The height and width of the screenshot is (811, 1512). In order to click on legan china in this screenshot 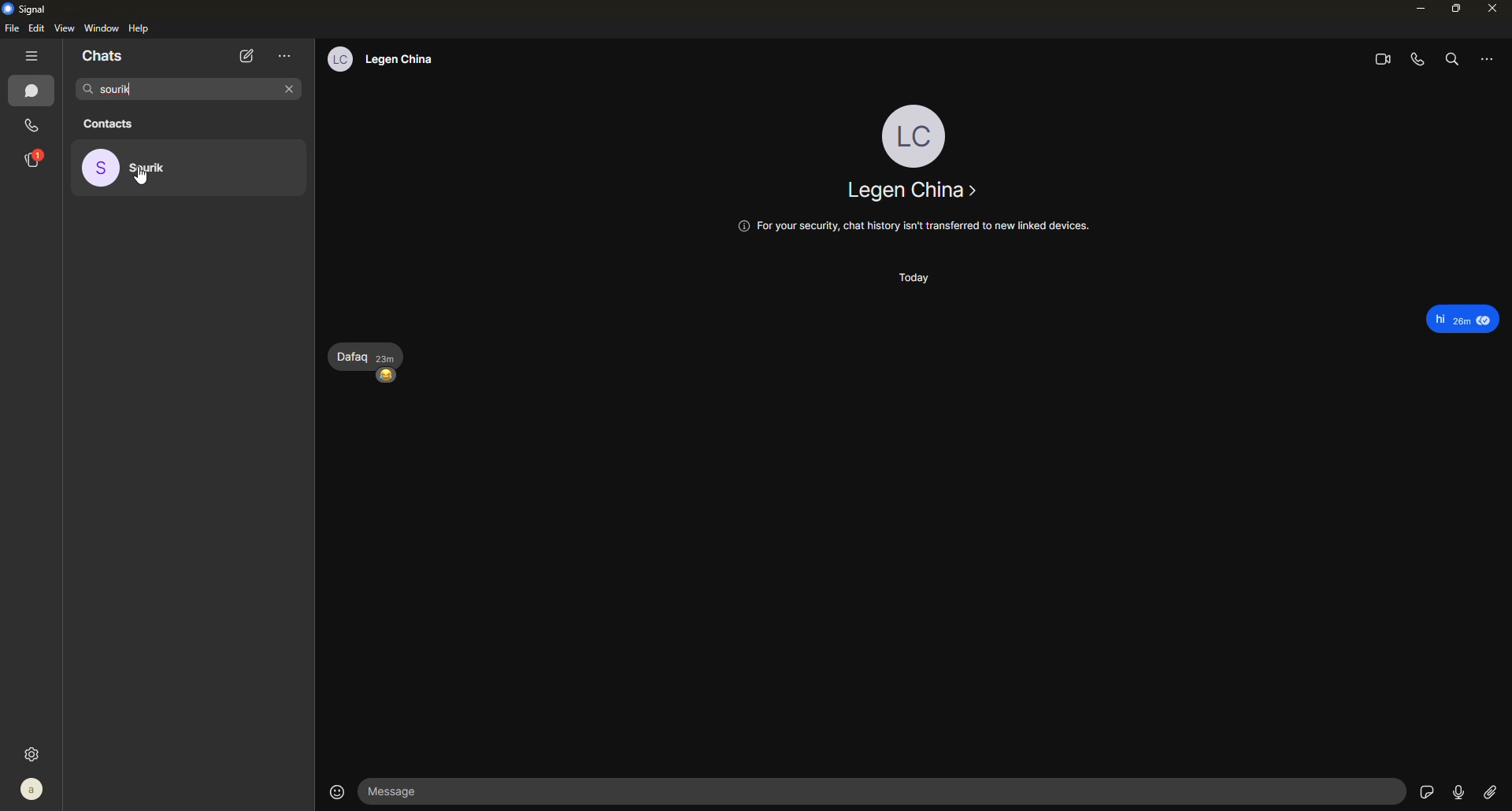, I will do `click(912, 190)`.